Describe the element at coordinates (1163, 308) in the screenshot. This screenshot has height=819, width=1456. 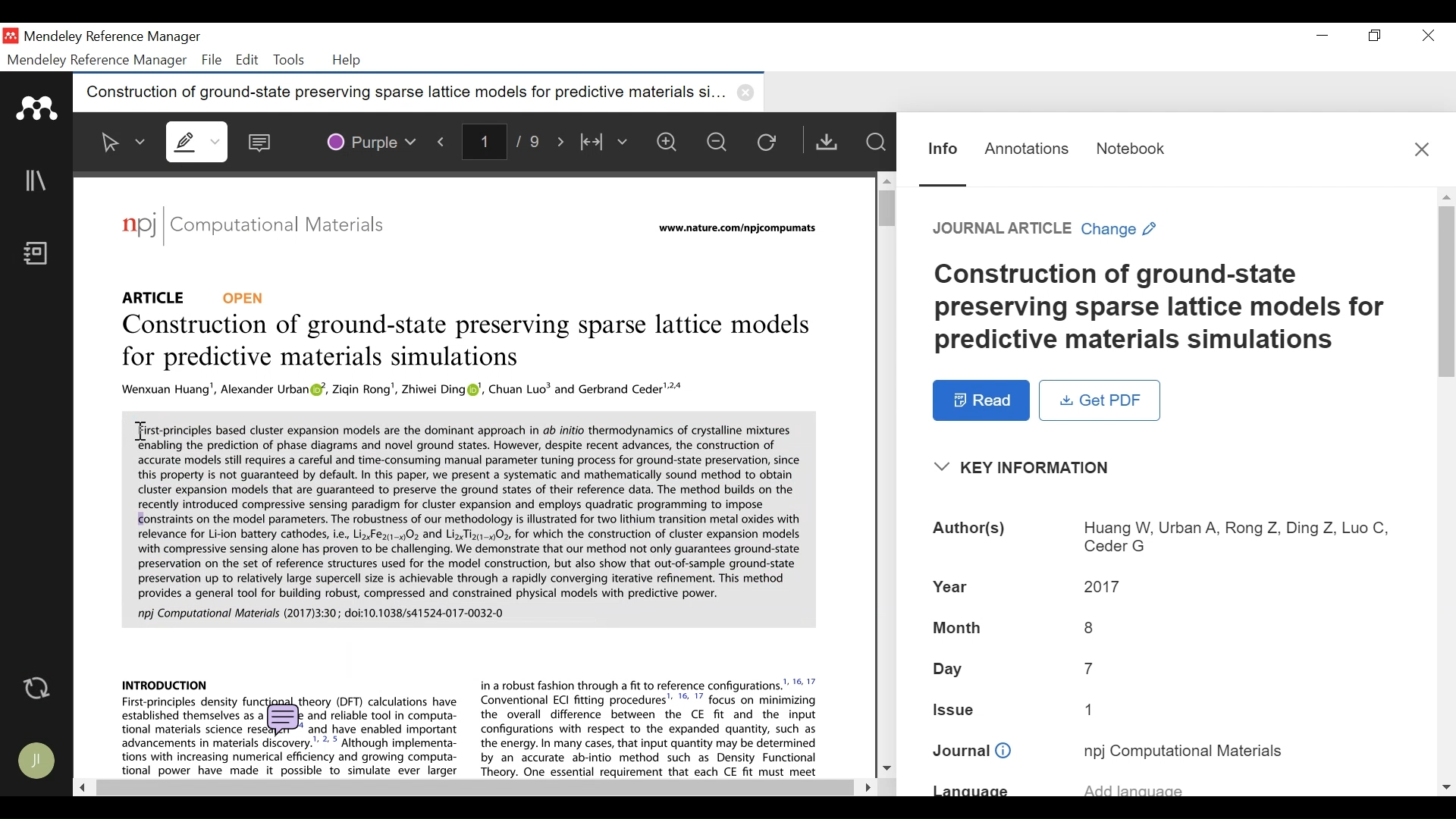
I see `Title` at that location.